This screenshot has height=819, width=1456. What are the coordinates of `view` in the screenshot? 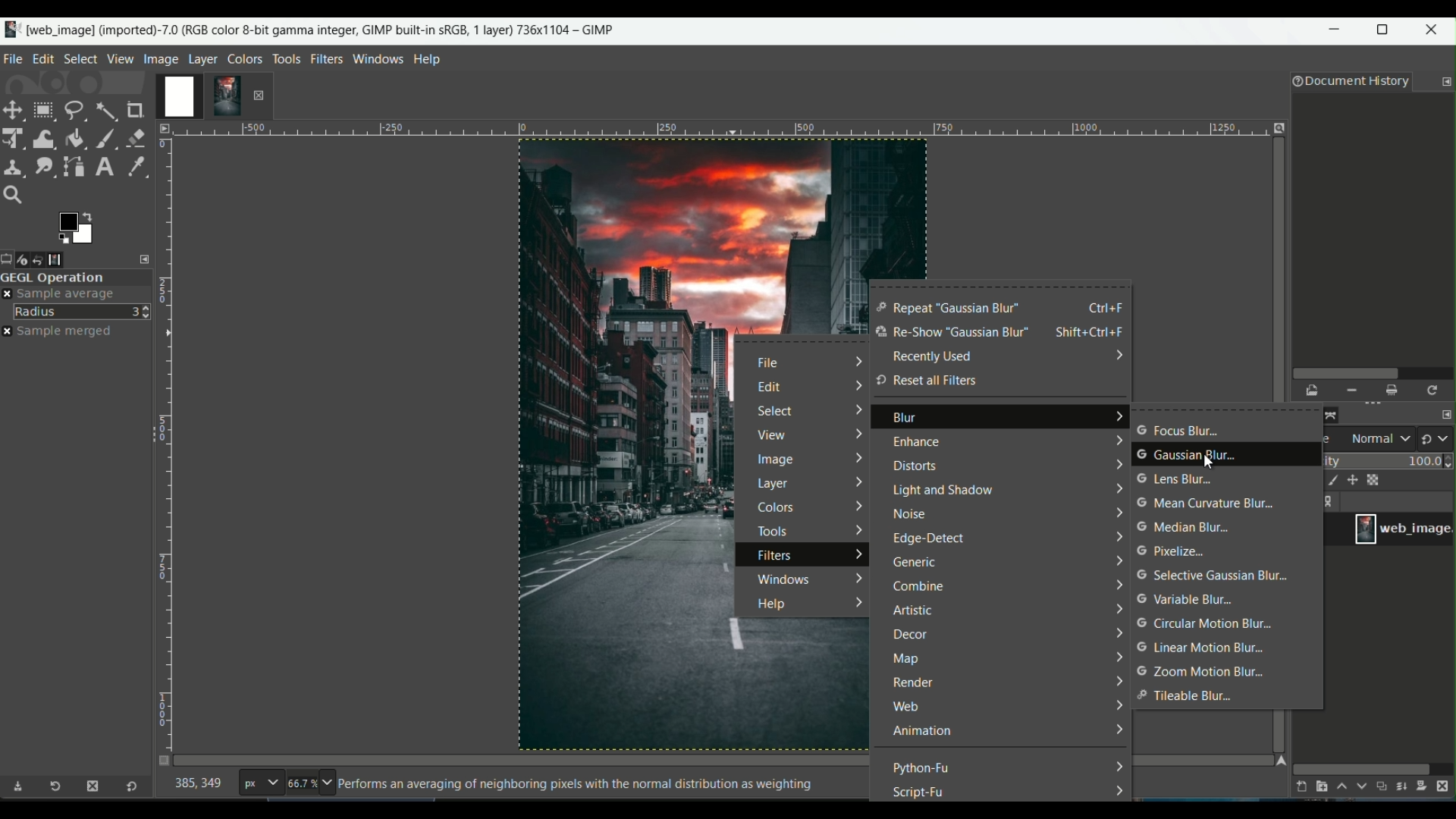 It's located at (770, 438).